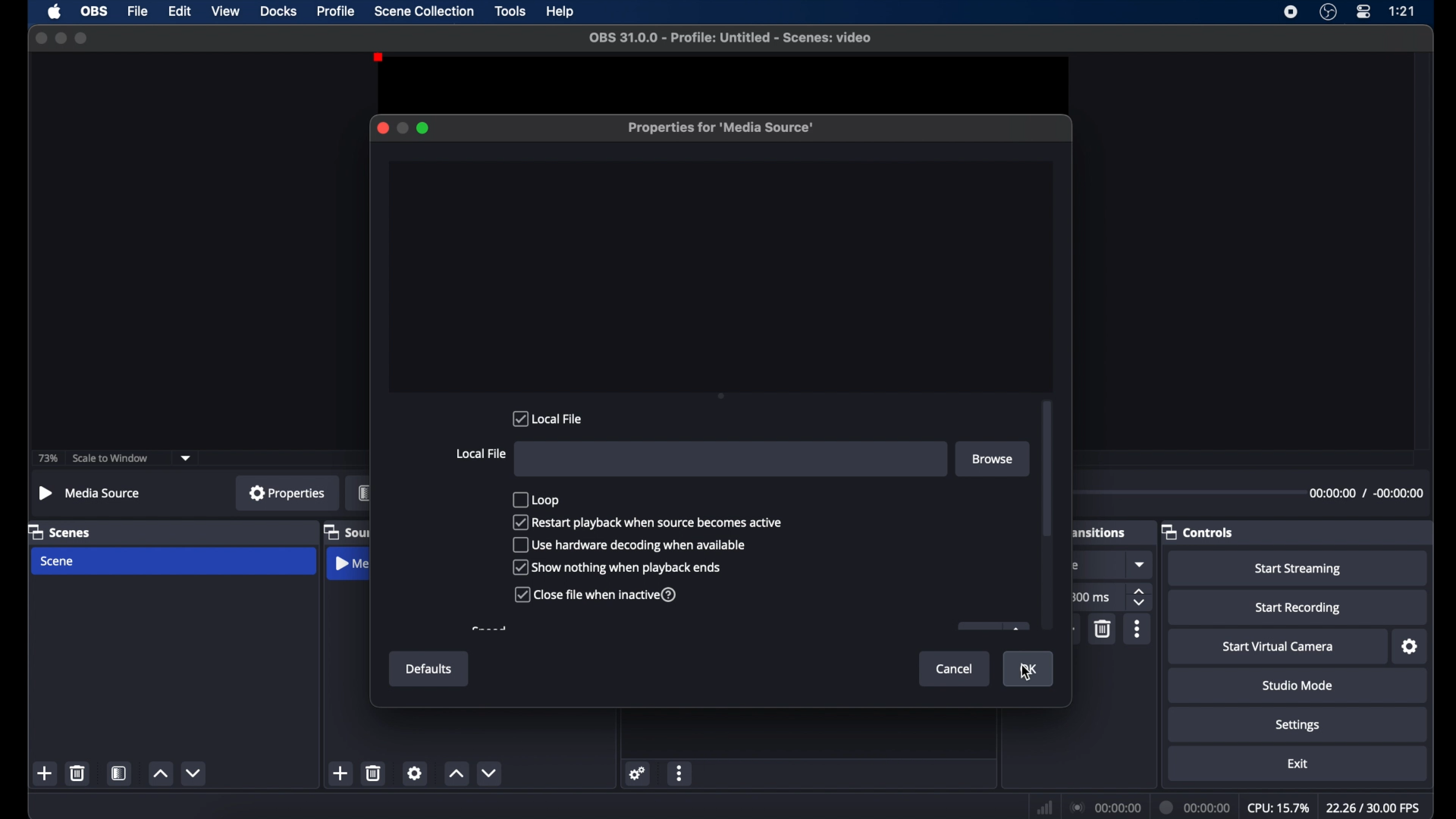 This screenshot has width=1456, height=819. Describe the element at coordinates (287, 493) in the screenshot. I see `properties` at that location.